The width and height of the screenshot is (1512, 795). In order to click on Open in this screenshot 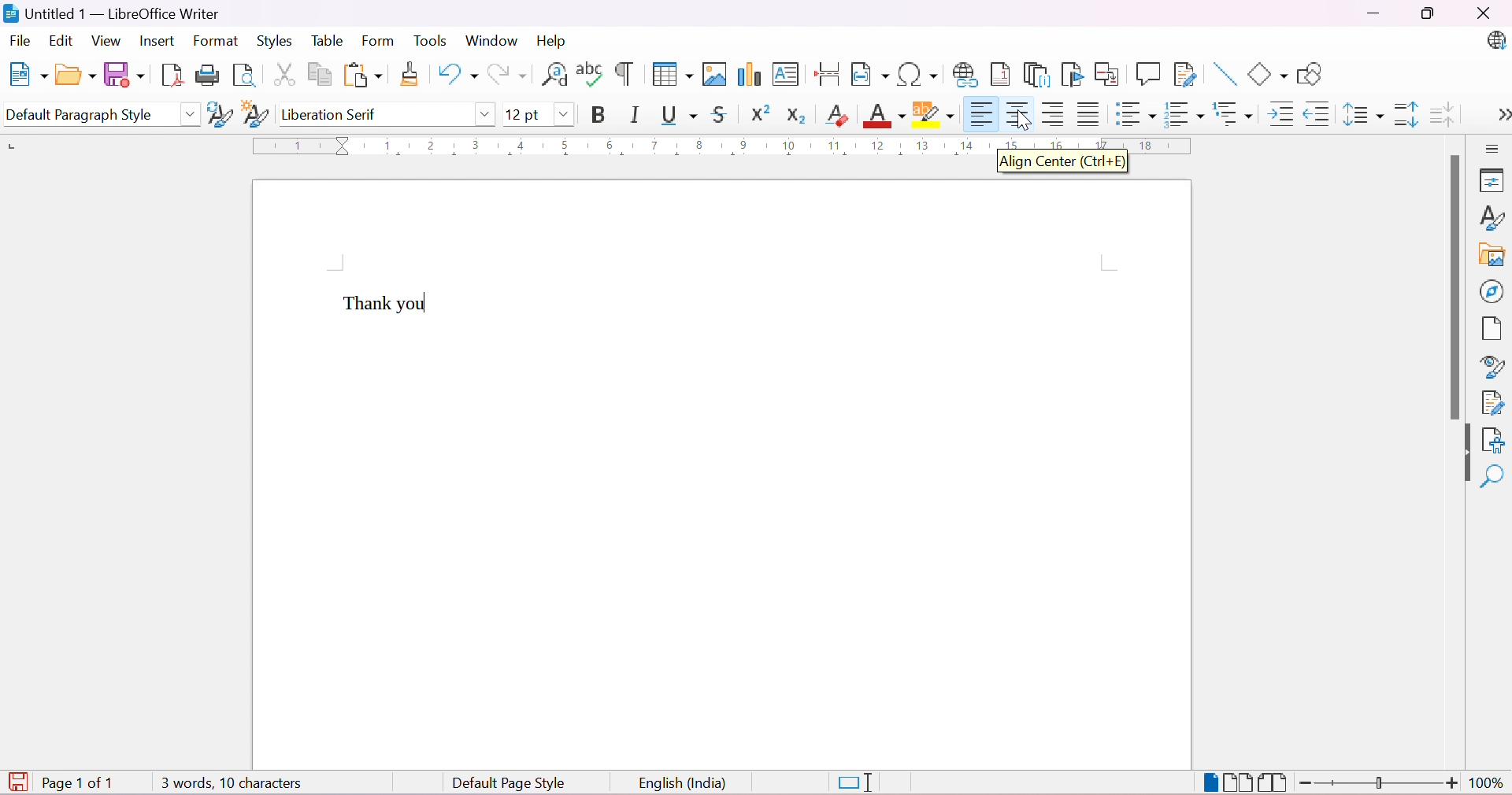, I will do `click(75, 76)`.